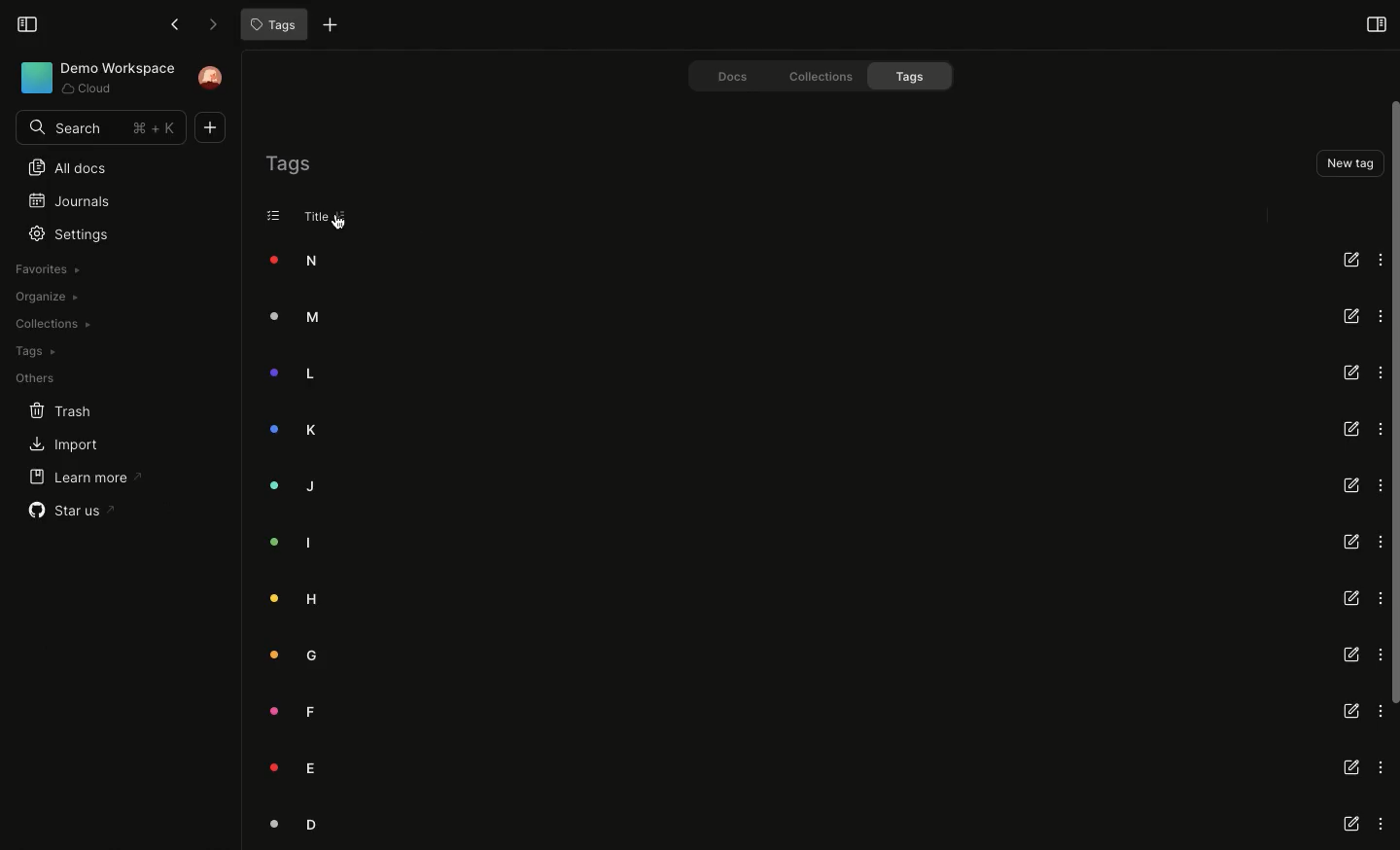  What do you see at coordinates (51, 324) in the screenshot?
I see `Collections` at bounding box center [51, 324].